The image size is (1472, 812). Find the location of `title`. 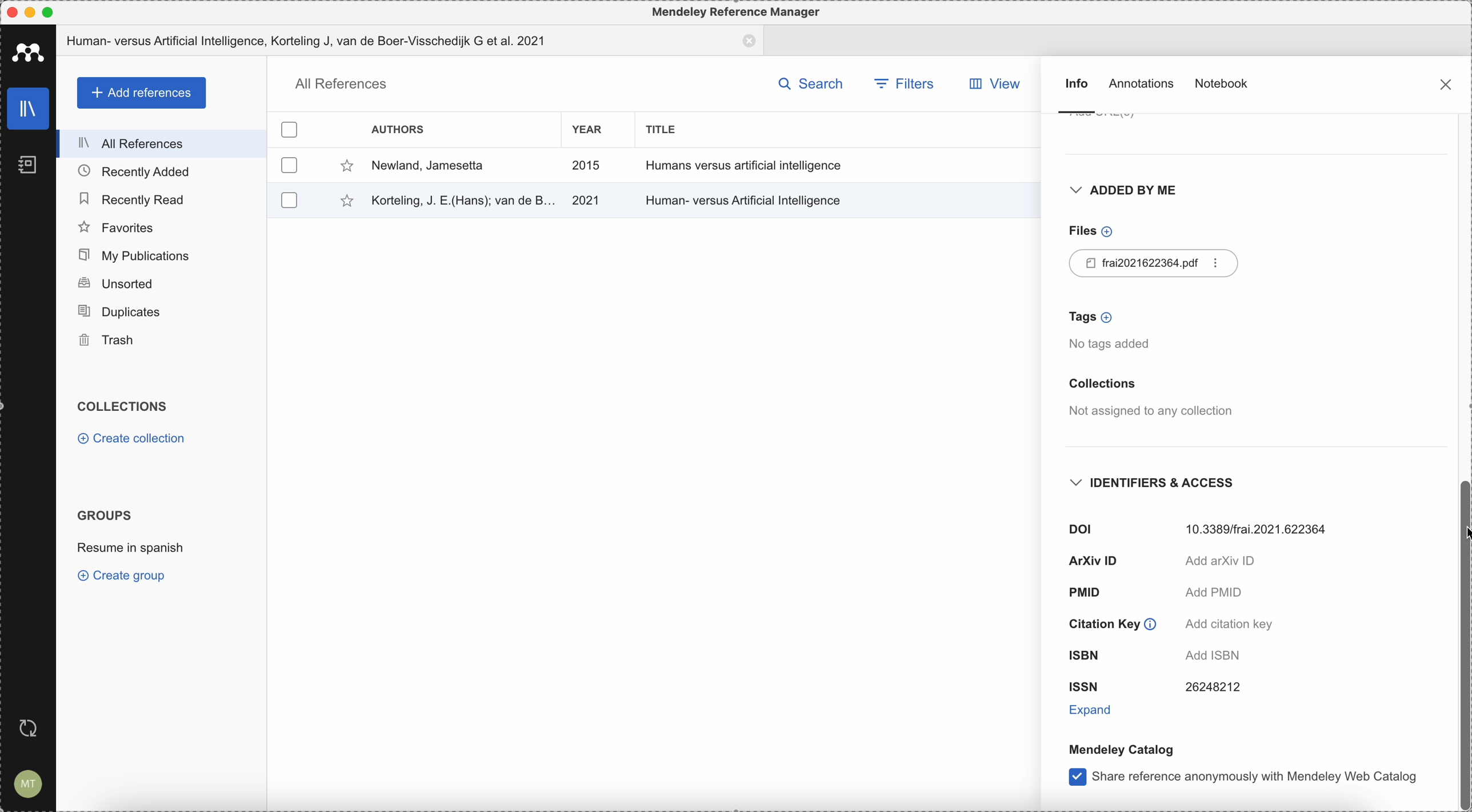

title is located at coordinates (666, 129).